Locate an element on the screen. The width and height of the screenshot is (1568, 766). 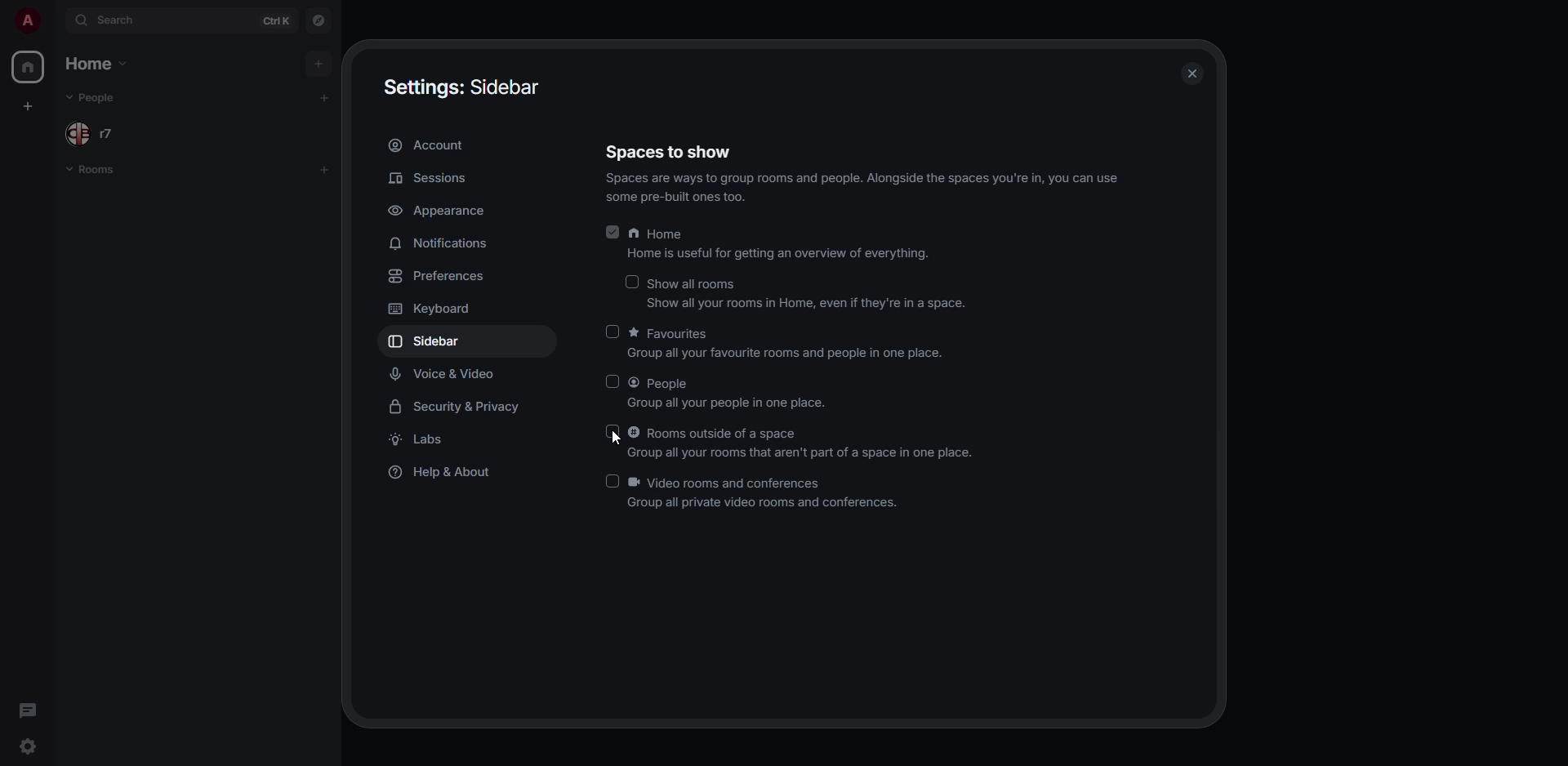
show all rooms is located at coordinates (810, 295).